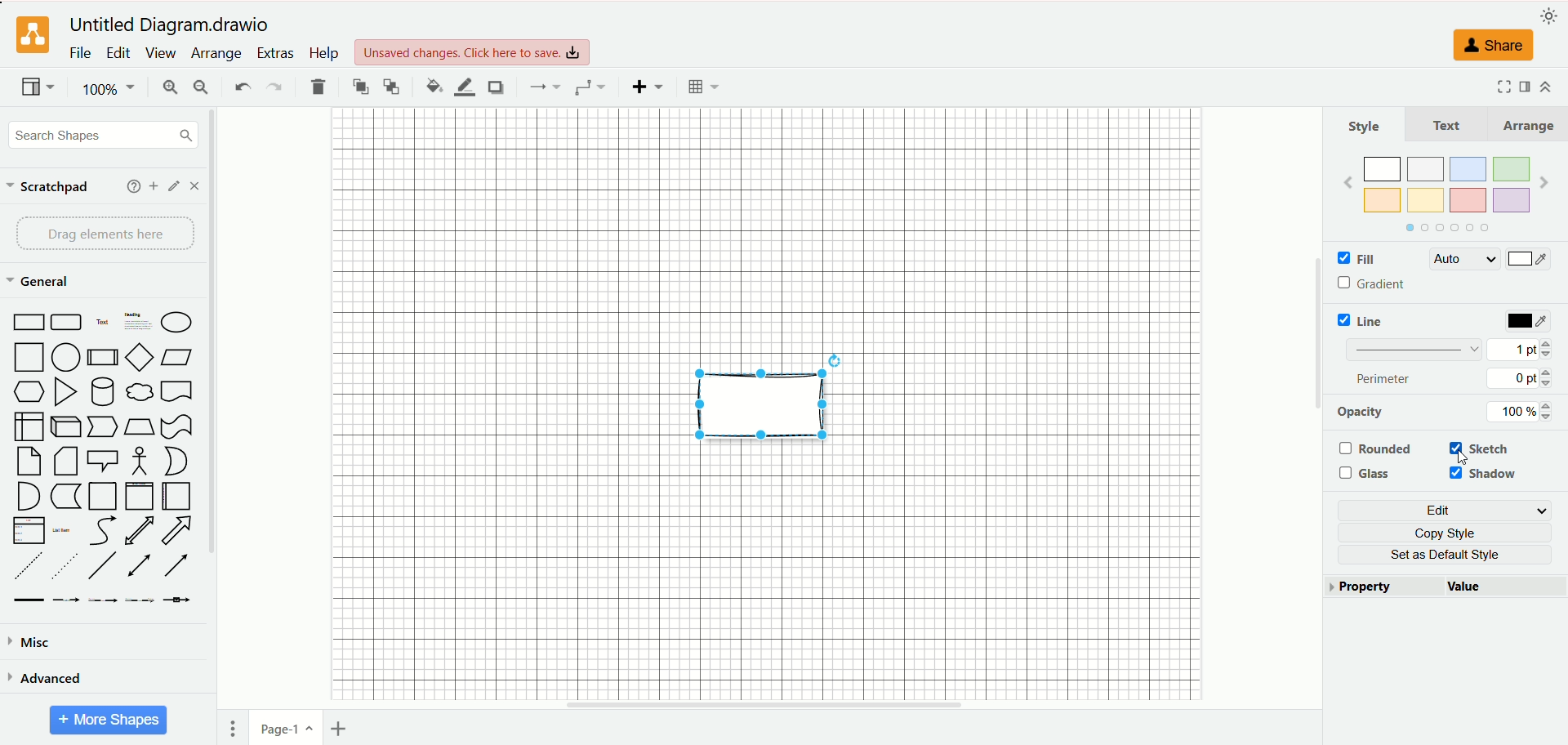 The width and height of the screenshot is (1568, 745). What do you see at coordinates (45, 677) in the screenshot?
I see `advanced` at bounding box center [45, 677].